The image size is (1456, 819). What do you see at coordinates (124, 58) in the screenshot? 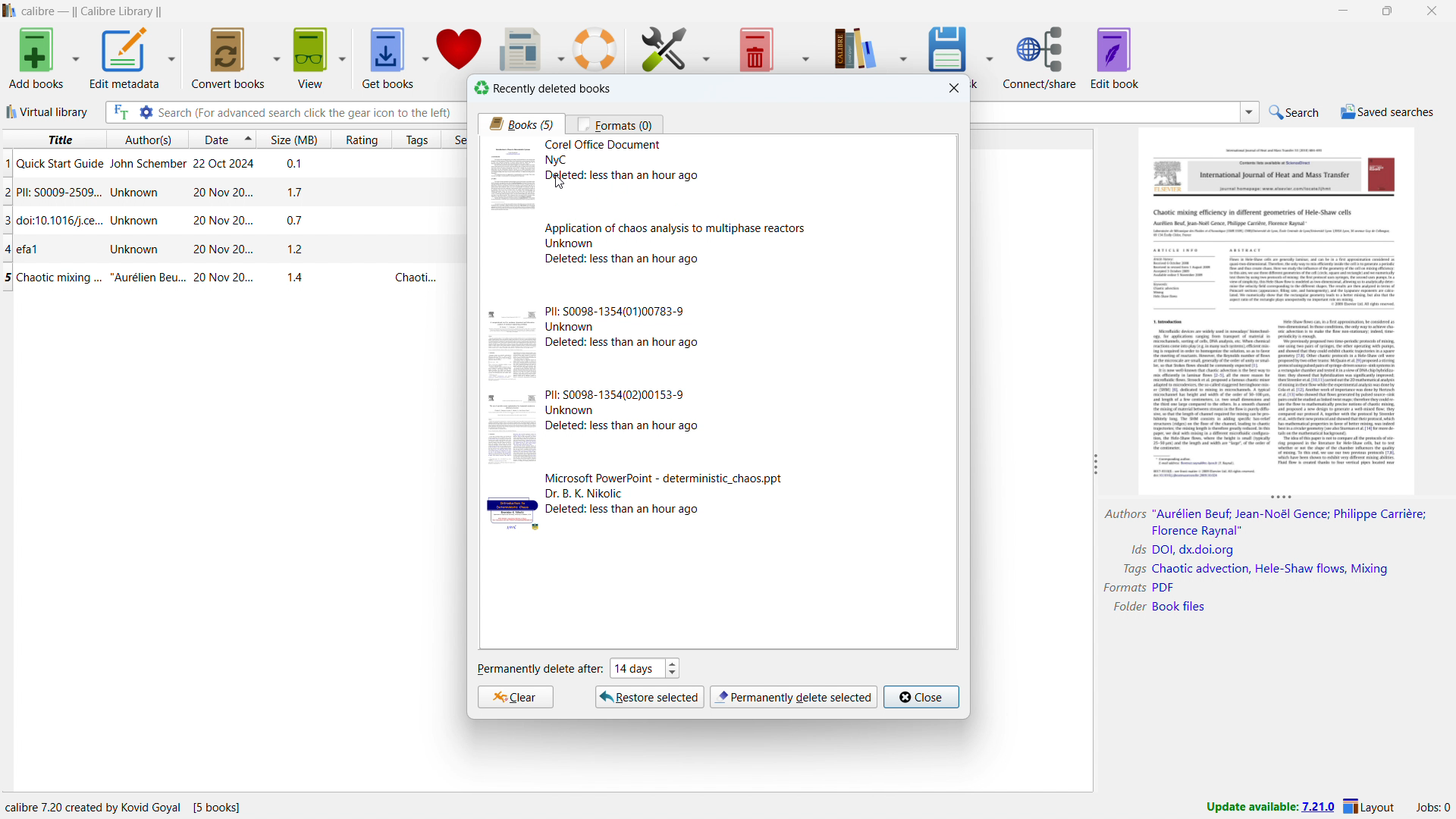
I see `edit metadata` at bounding box center [124, 58].